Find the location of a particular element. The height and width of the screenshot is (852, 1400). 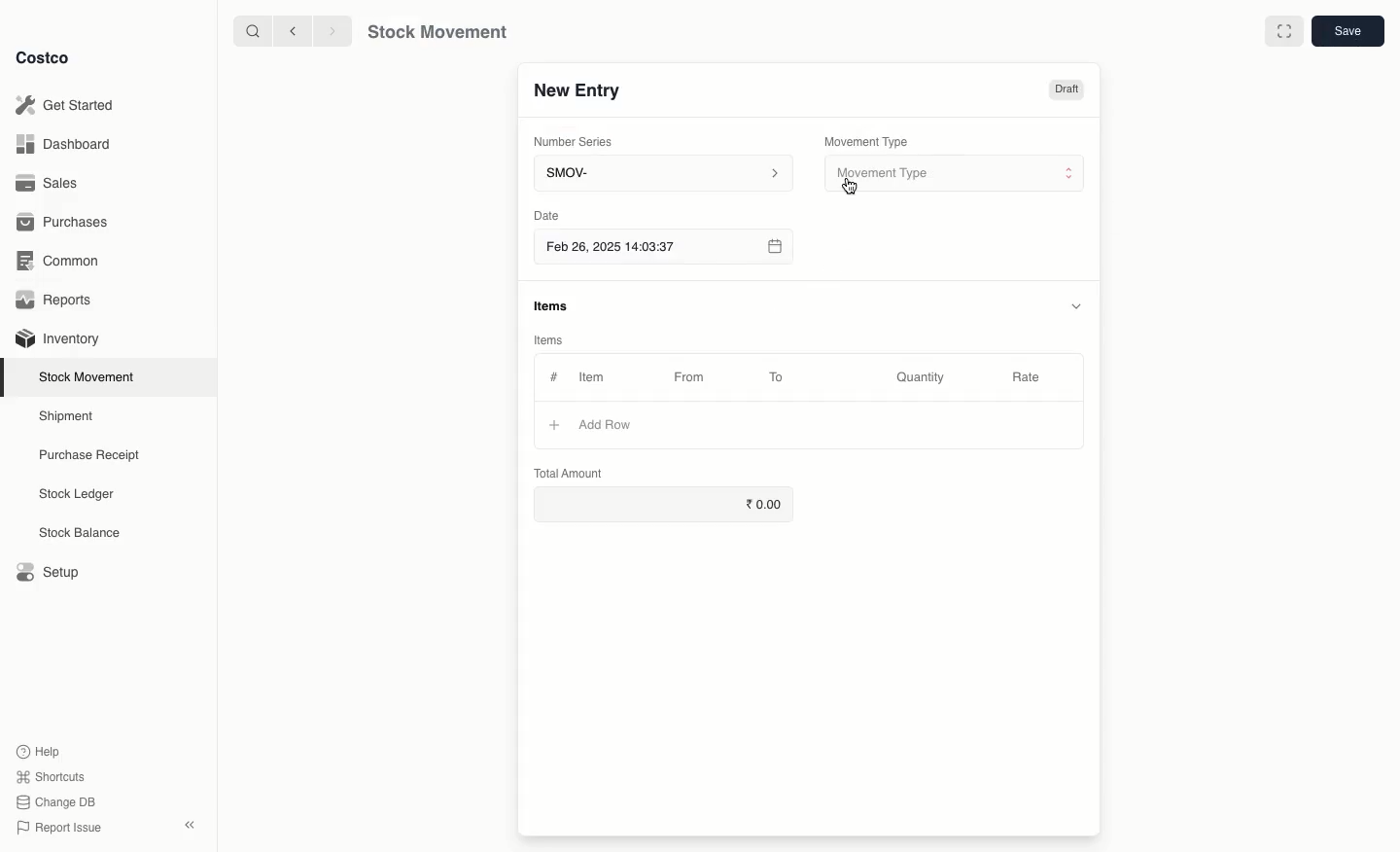

Get Started is located at coordinates (69, 104).